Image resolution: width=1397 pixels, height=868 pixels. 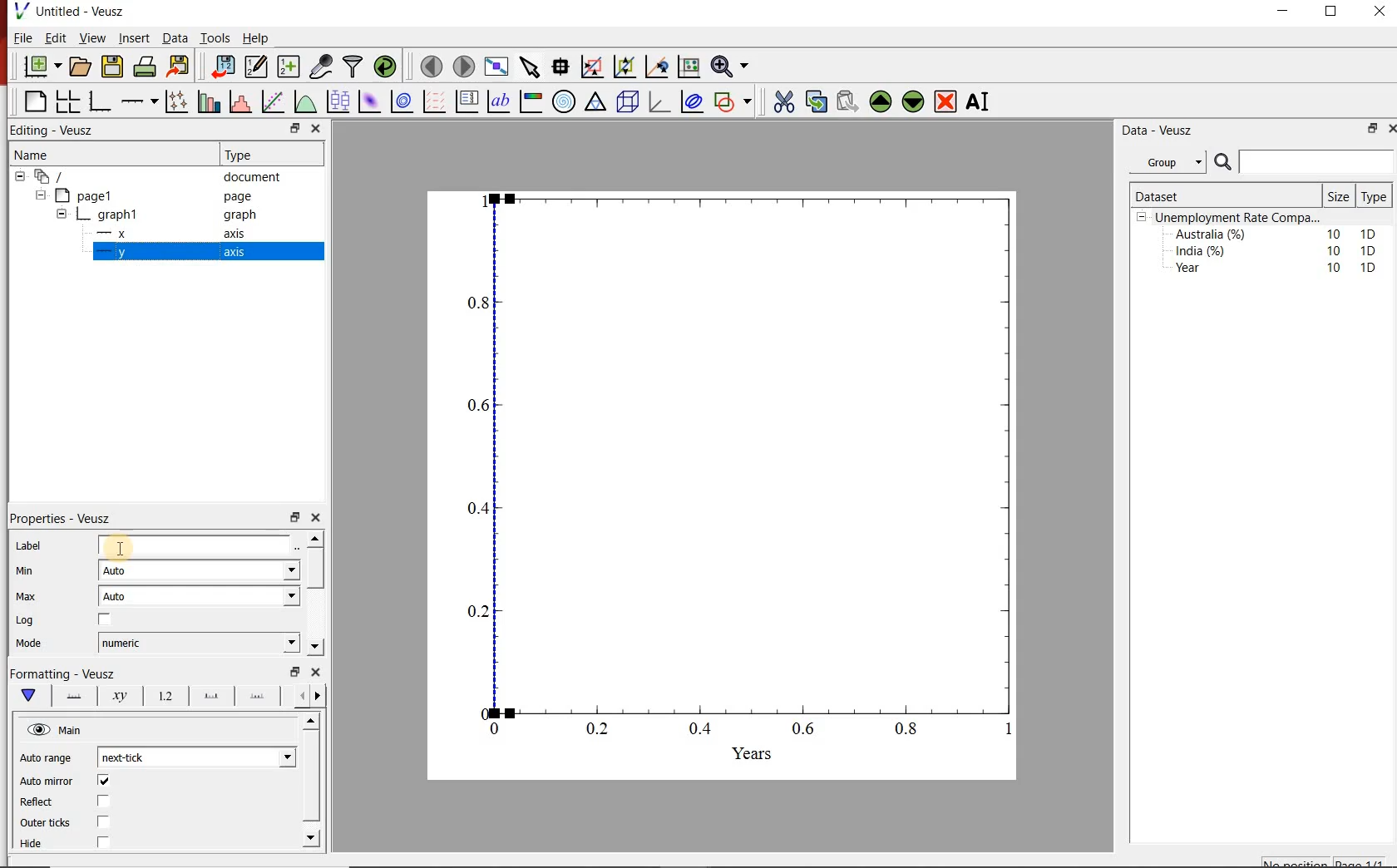 I want to click on Properties - Veusz, so click(x=63, y=520).